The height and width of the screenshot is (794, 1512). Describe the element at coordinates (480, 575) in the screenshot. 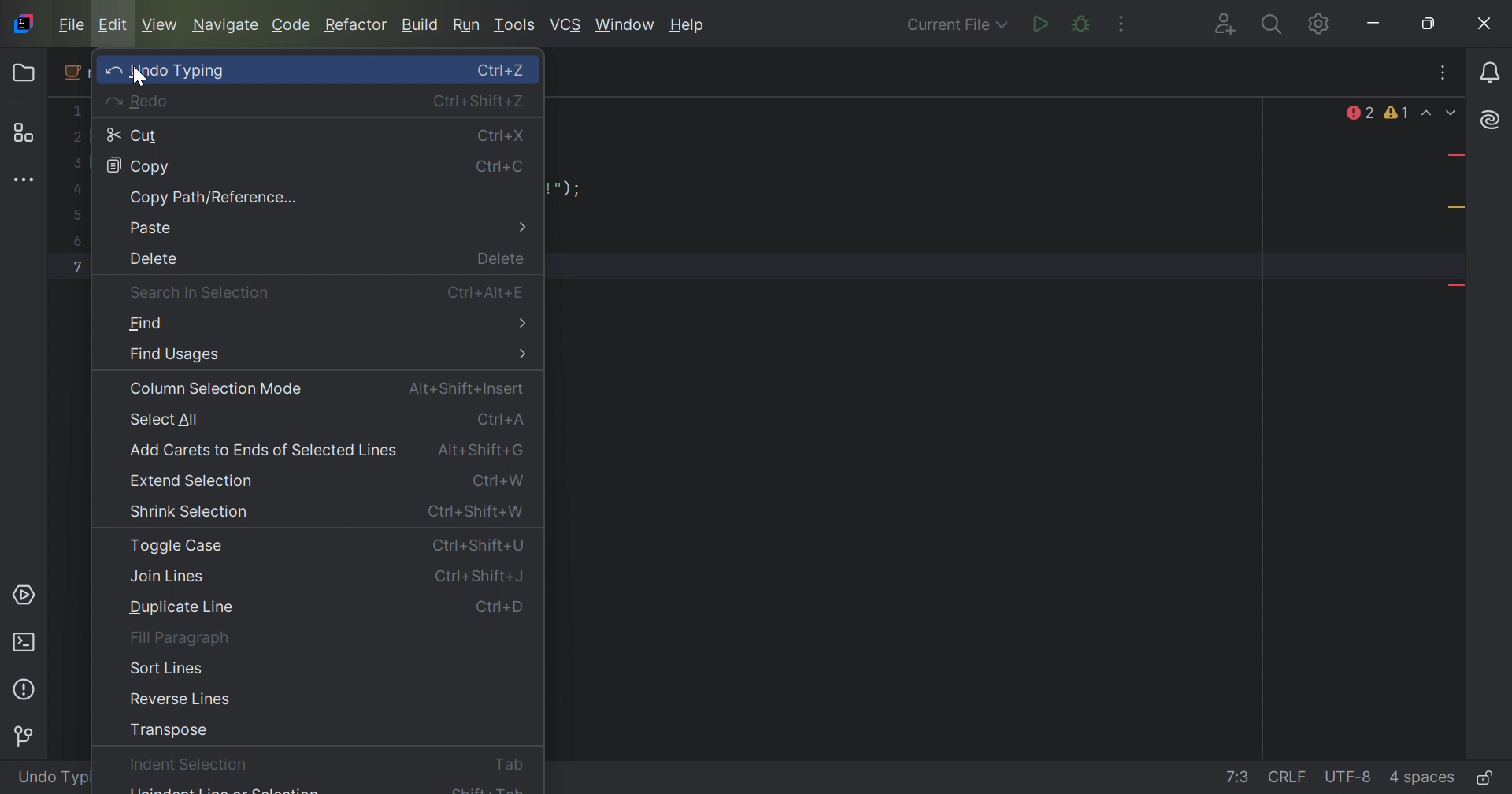

I see `Ctrl+Shift+J` at that location.